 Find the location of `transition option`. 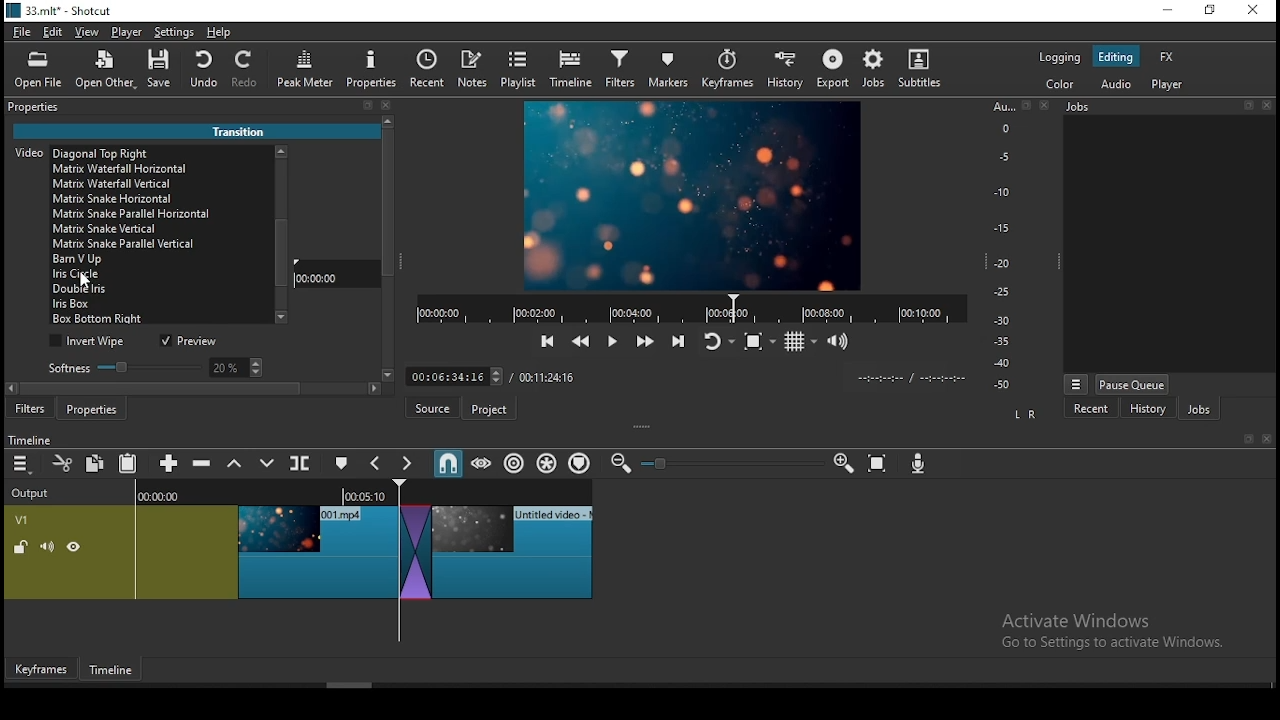

transition option is located at coordinates (157, 259).